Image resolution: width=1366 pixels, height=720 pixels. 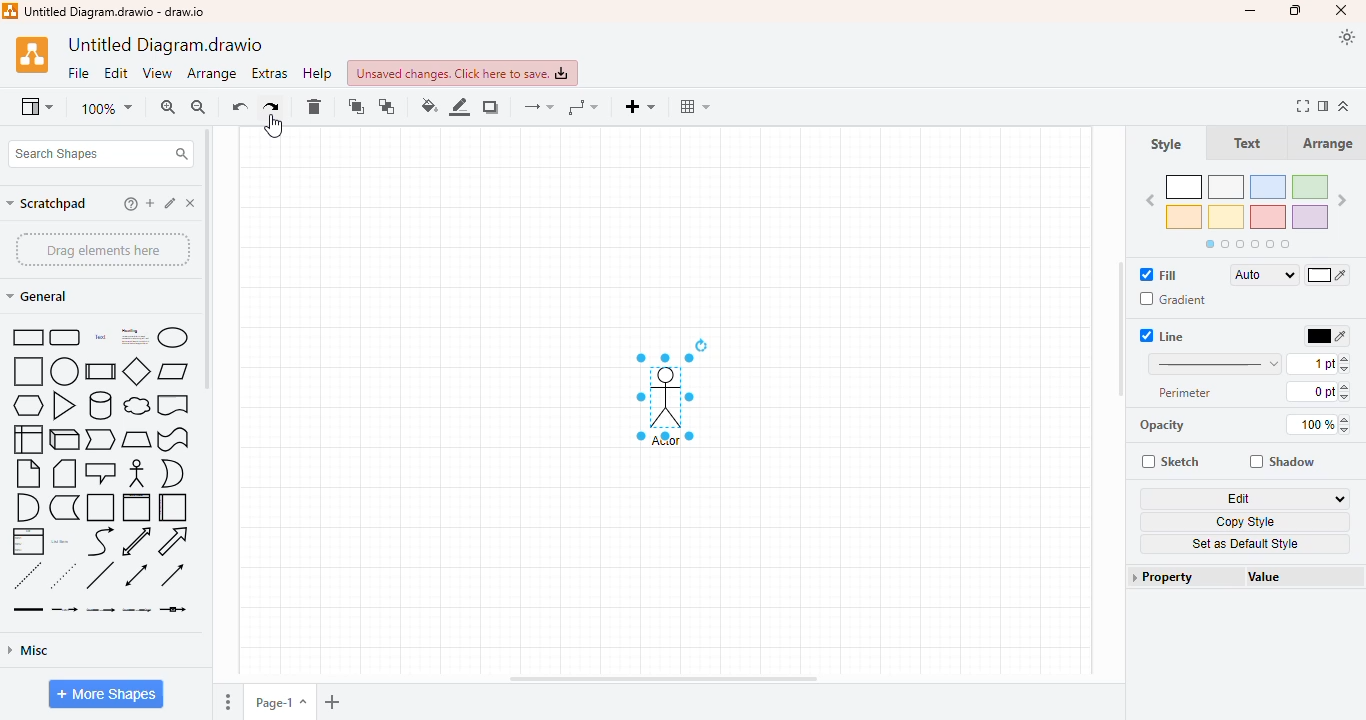 I want to click on connector with 3 labels, so click(x=137, y=609).